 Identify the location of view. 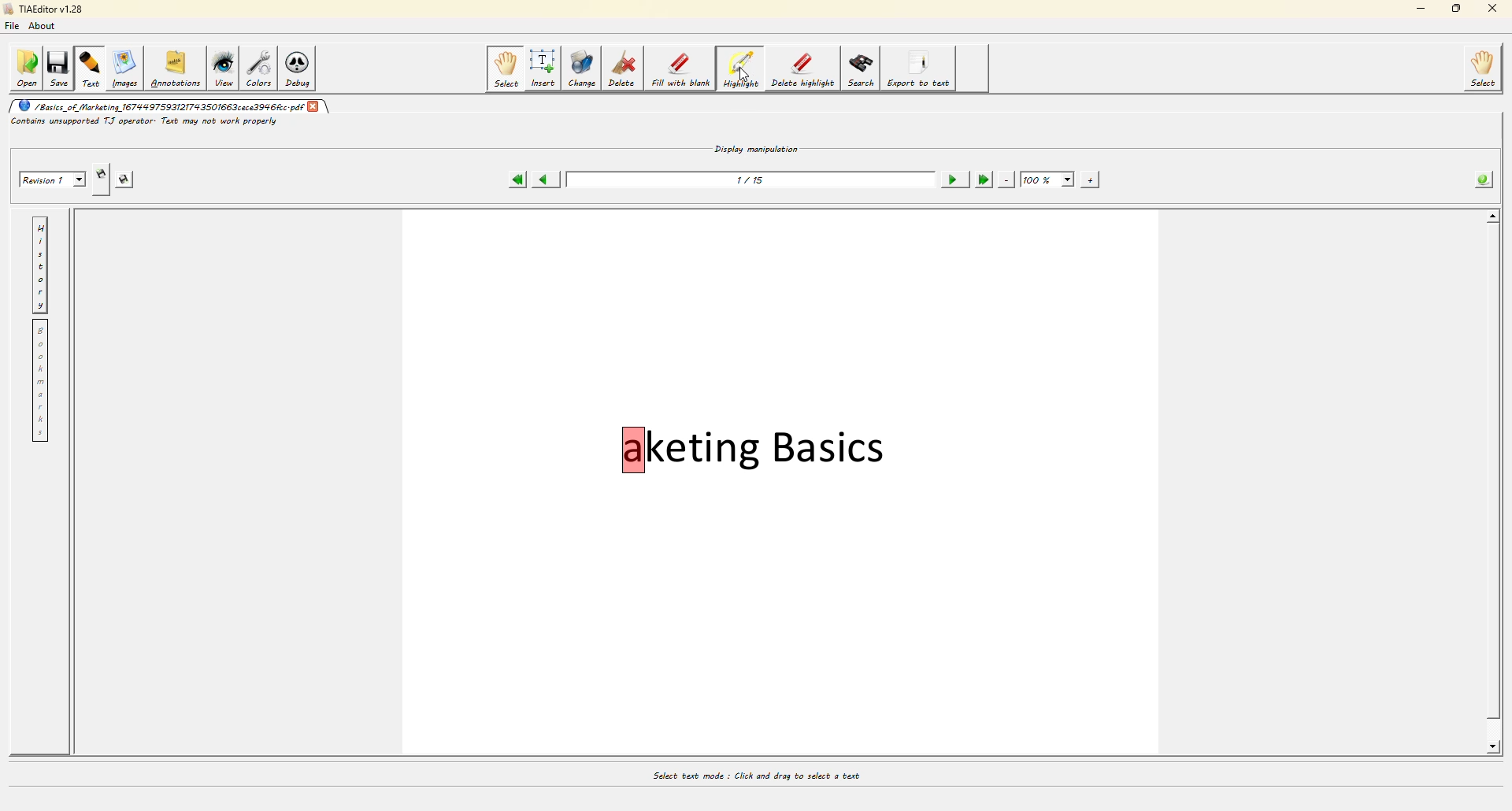
(224, 69).